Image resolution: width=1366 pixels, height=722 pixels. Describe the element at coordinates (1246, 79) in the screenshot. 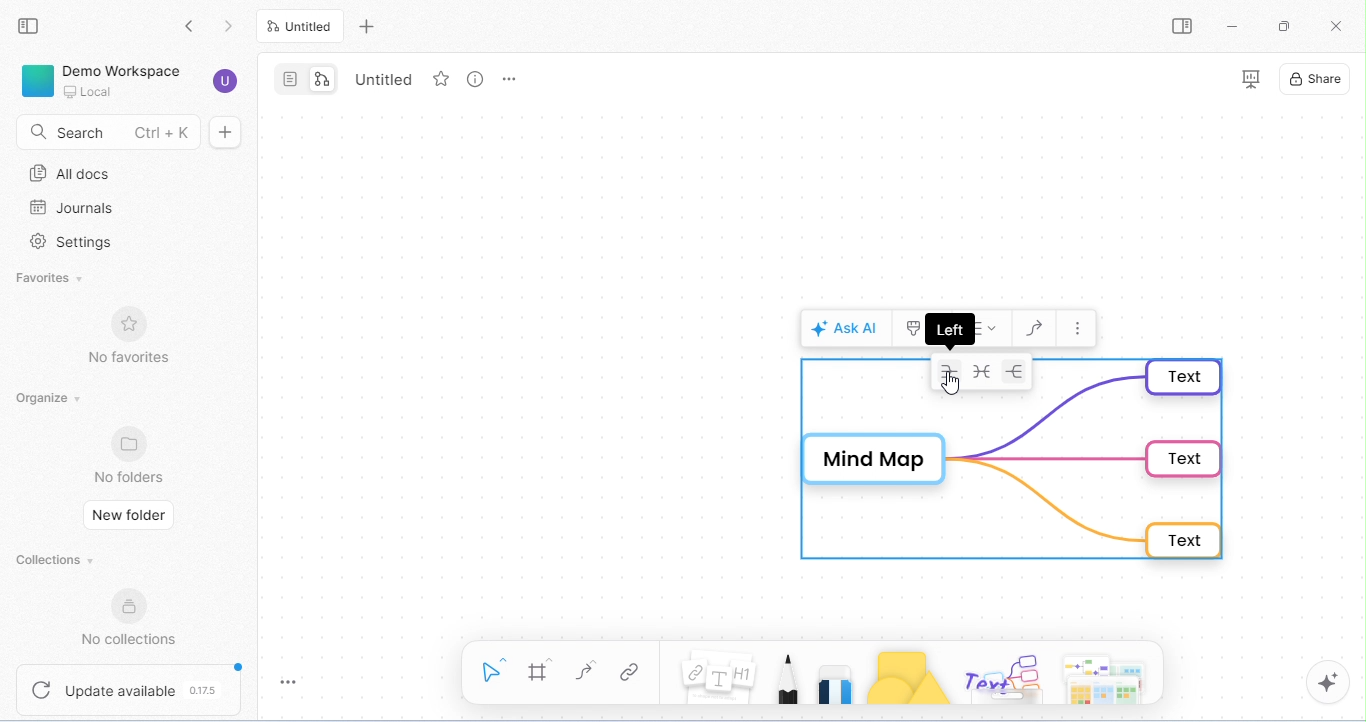

I see `presentation` at that location.